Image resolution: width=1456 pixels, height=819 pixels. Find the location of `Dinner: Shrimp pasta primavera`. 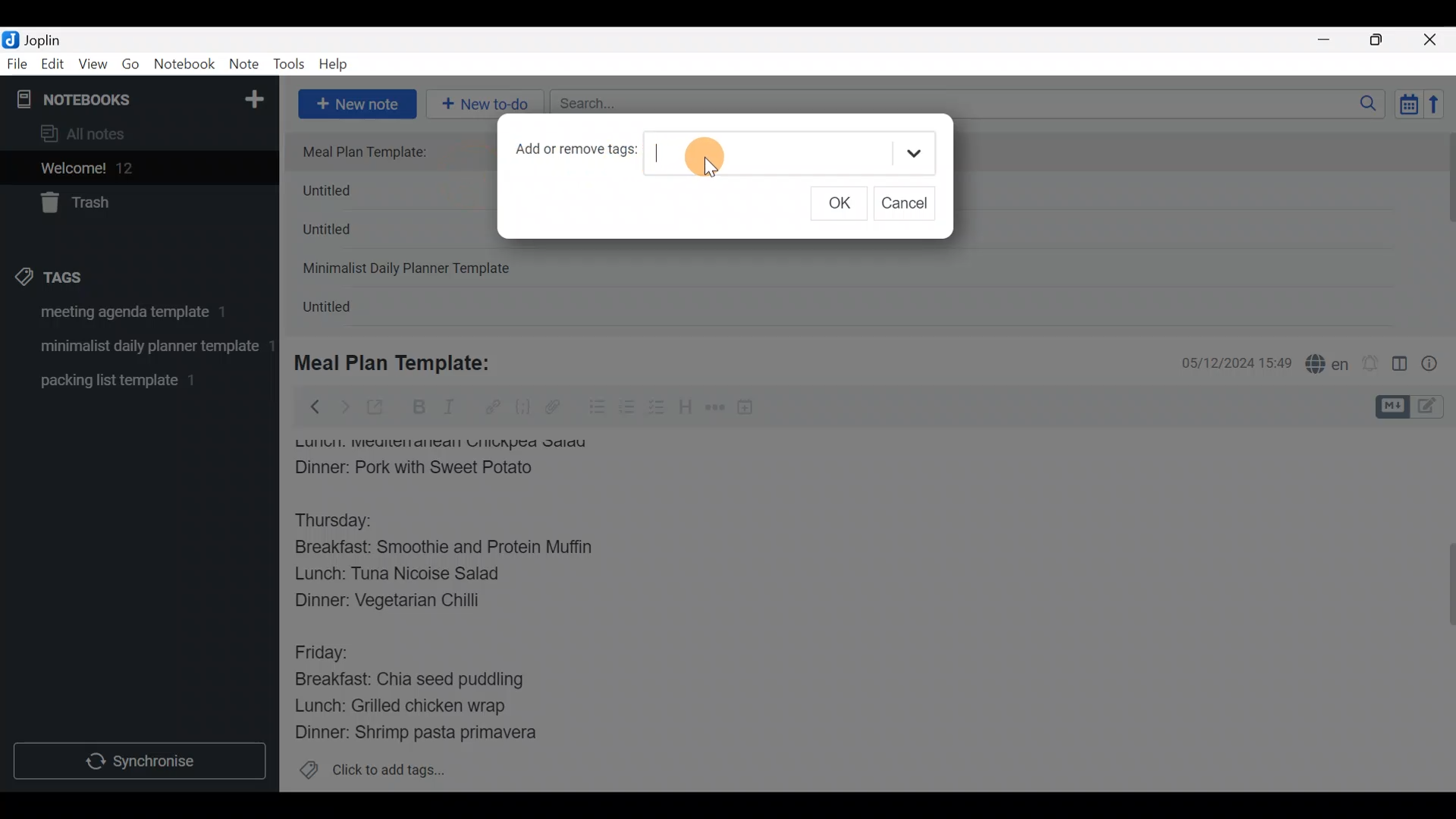

Dinner: Shrimp pasta primavera is located at coordinates (431, 734).